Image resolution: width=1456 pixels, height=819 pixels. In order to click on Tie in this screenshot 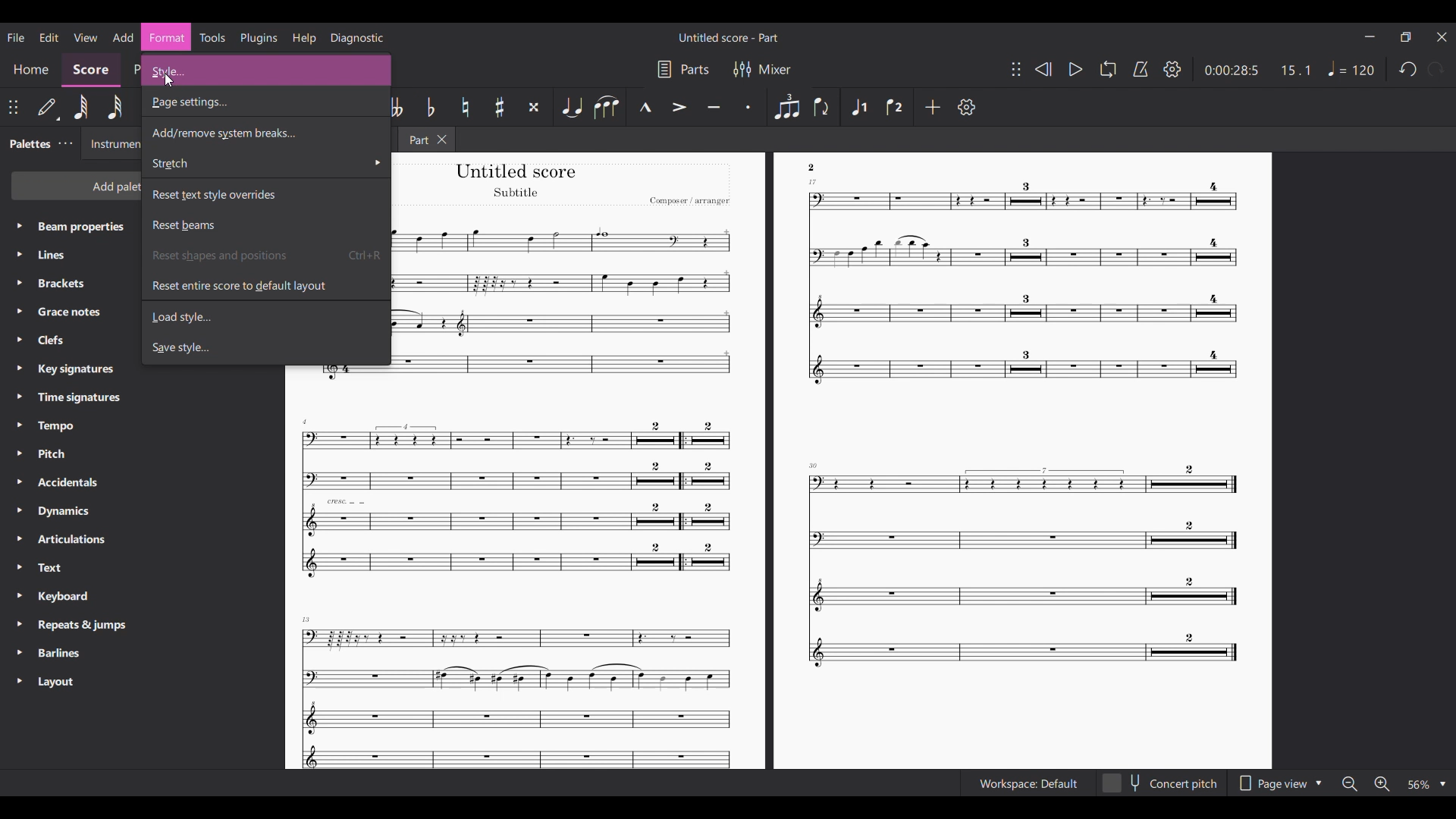, I will do `click(573, 108)`.